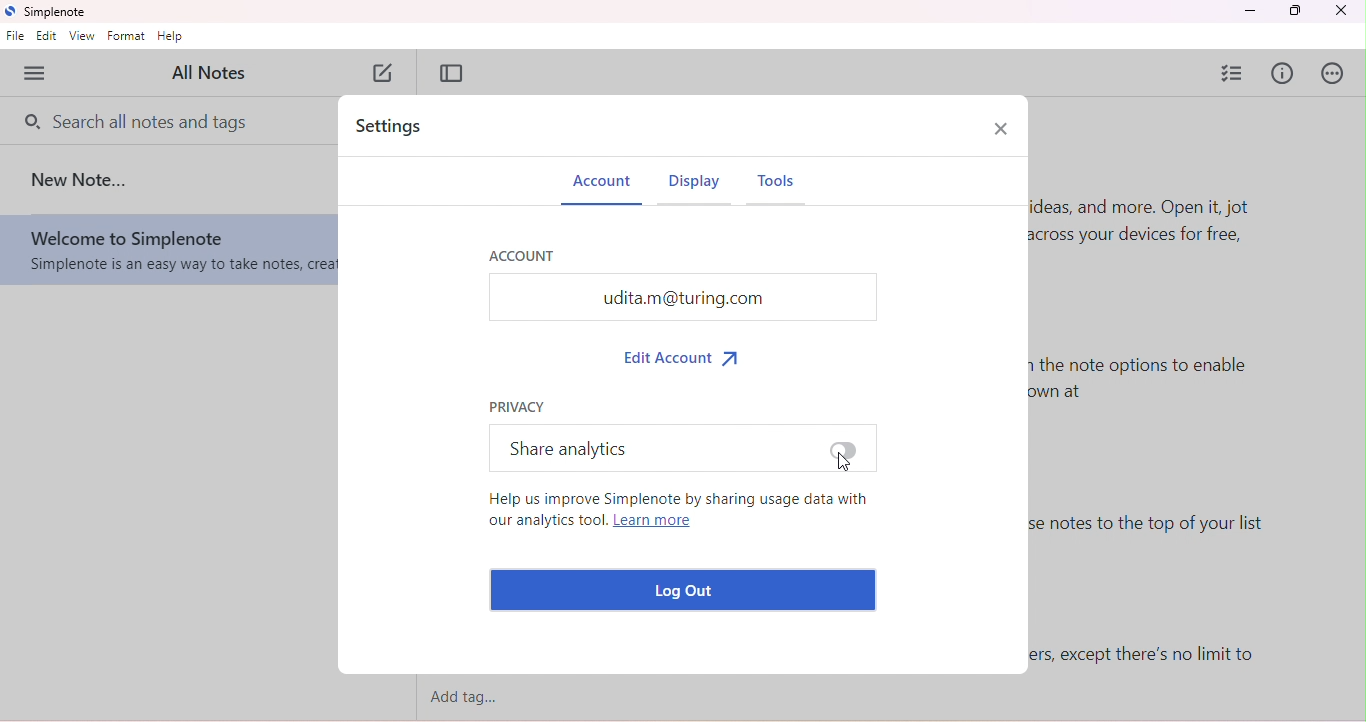 The width and height of the screenshot is (1366, 722). I want to click on share analytics, so click(565, 447).